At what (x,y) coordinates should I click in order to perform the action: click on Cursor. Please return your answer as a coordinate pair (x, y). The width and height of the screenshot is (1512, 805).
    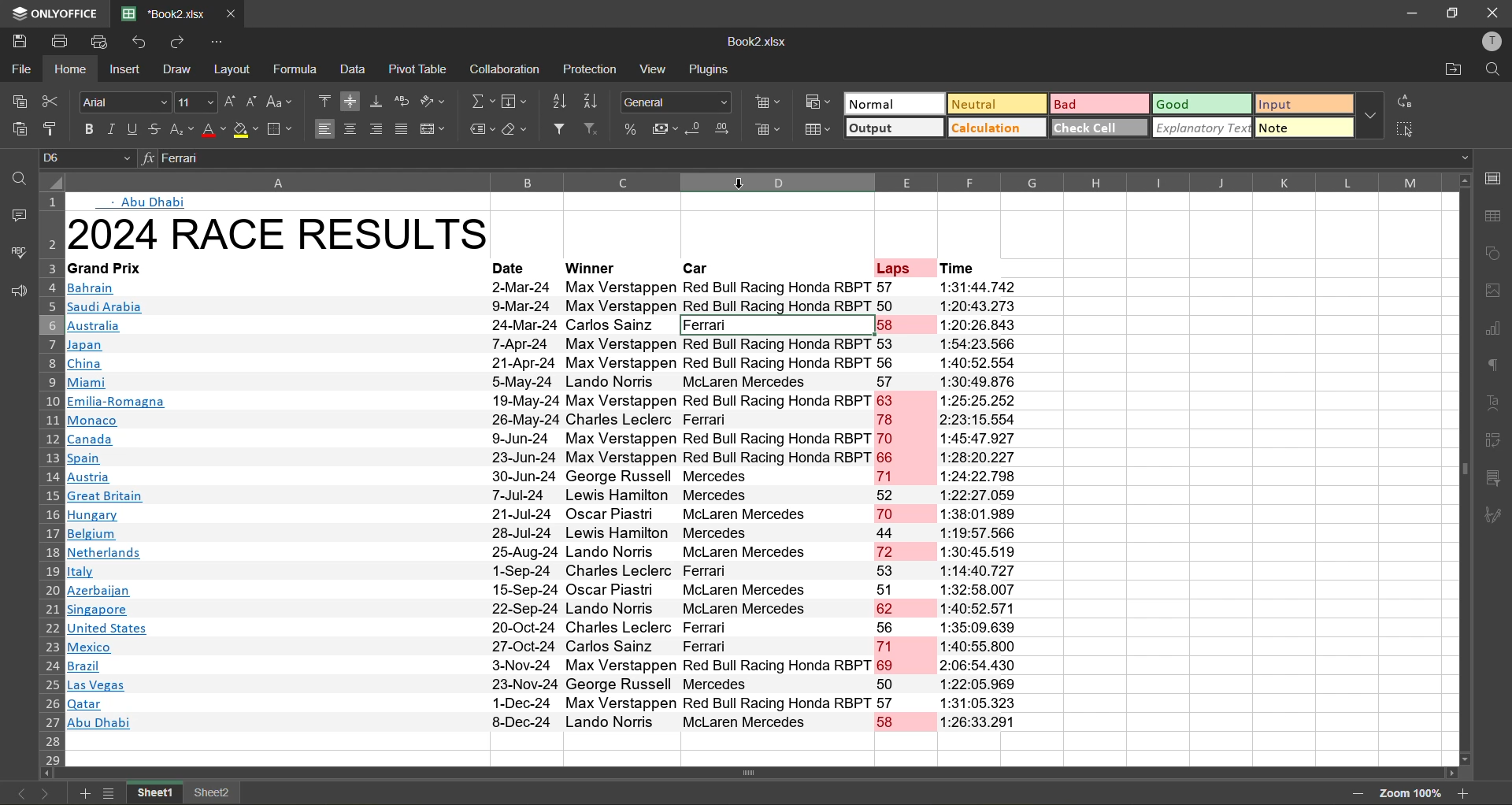
    Looking at the image, I should click on (739, 182).